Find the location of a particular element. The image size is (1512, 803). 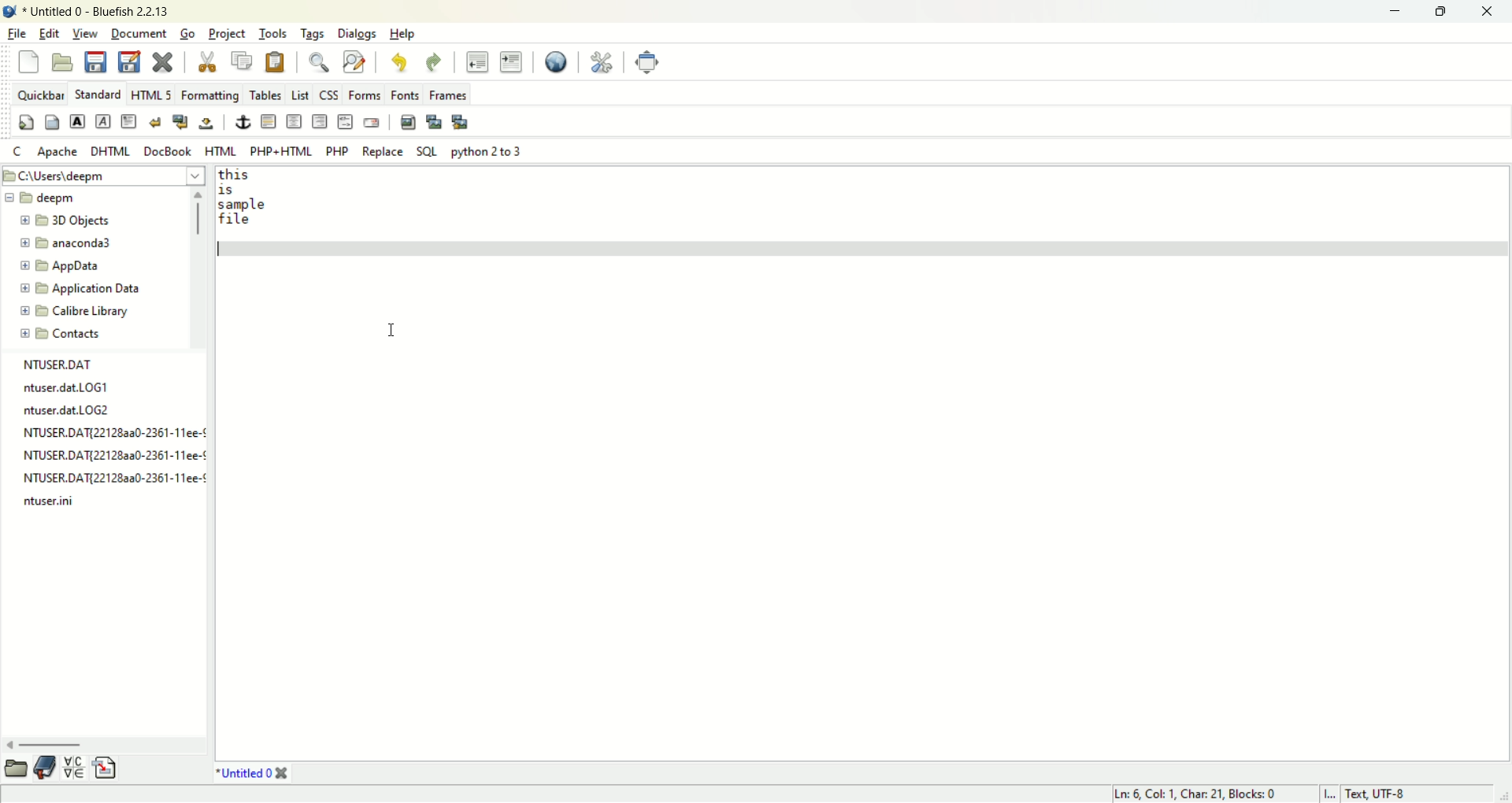

fonts is located at coordinates (406, 94).